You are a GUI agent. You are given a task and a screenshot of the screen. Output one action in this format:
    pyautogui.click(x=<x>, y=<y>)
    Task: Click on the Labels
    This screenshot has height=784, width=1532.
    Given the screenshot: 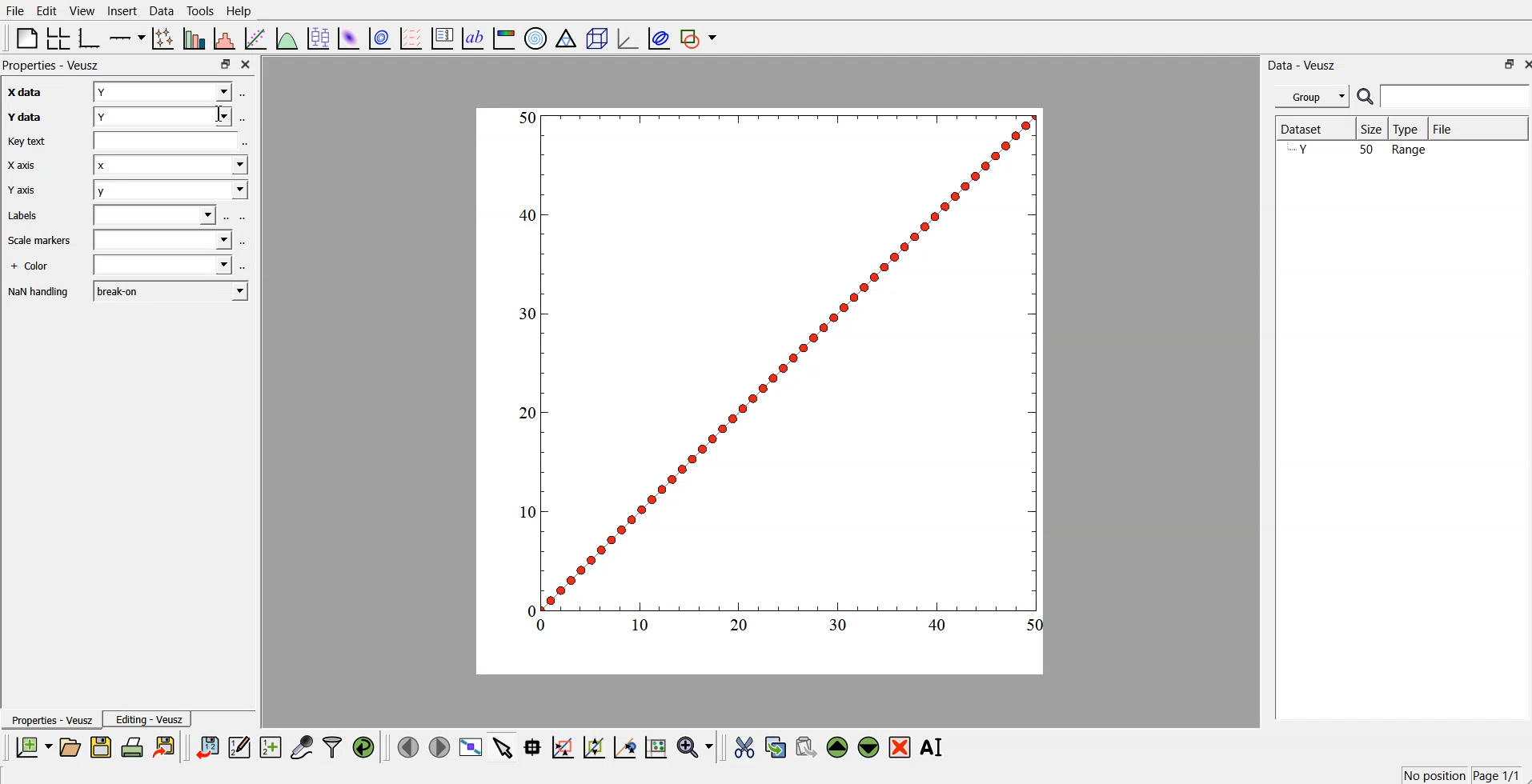 What is the action you would take?
    pyautogui.click(x=38, y=215)
    